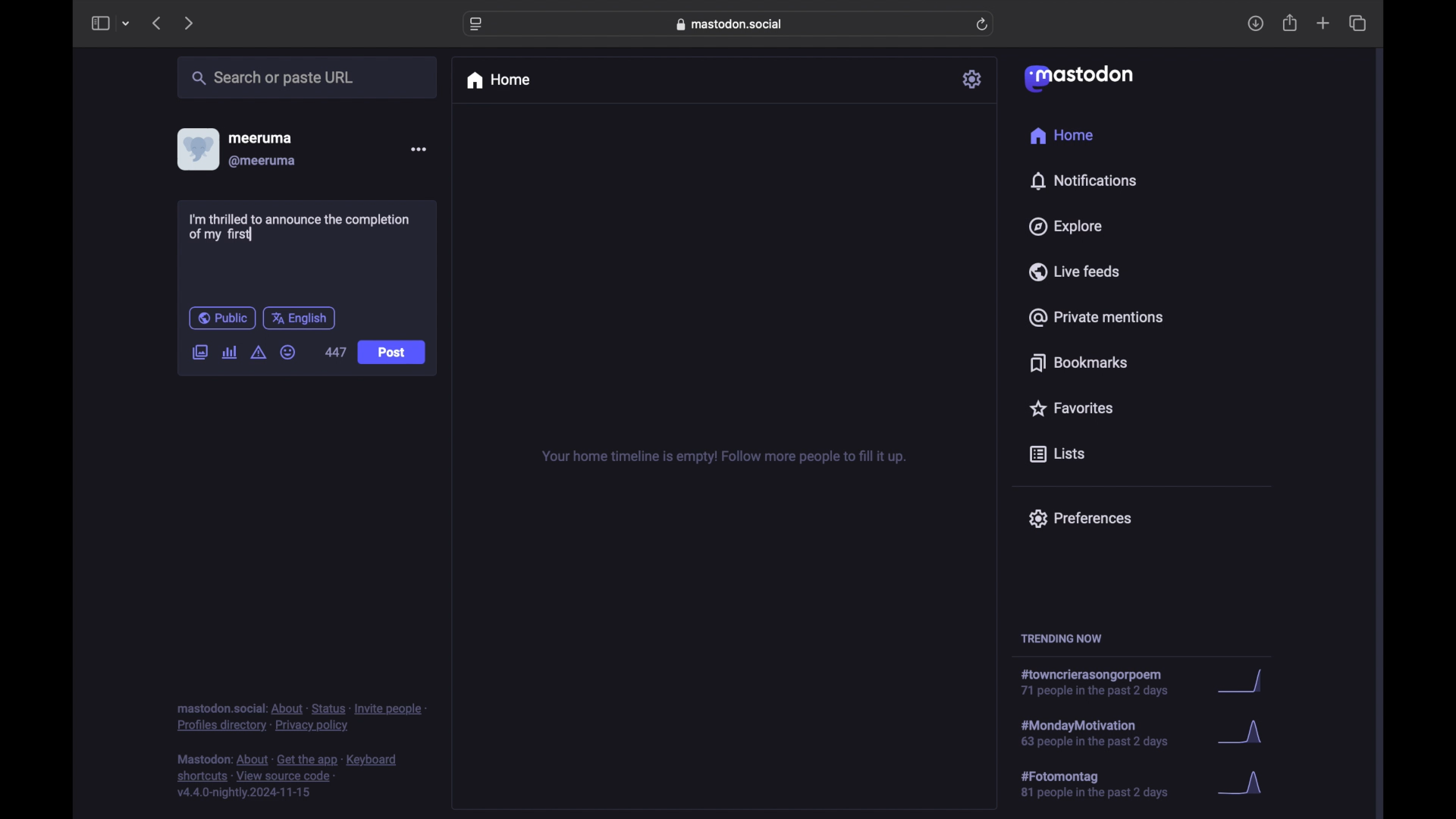  Describe the element at coordinates (260, 353) in the screenshot. I see `add content warning` at that location.